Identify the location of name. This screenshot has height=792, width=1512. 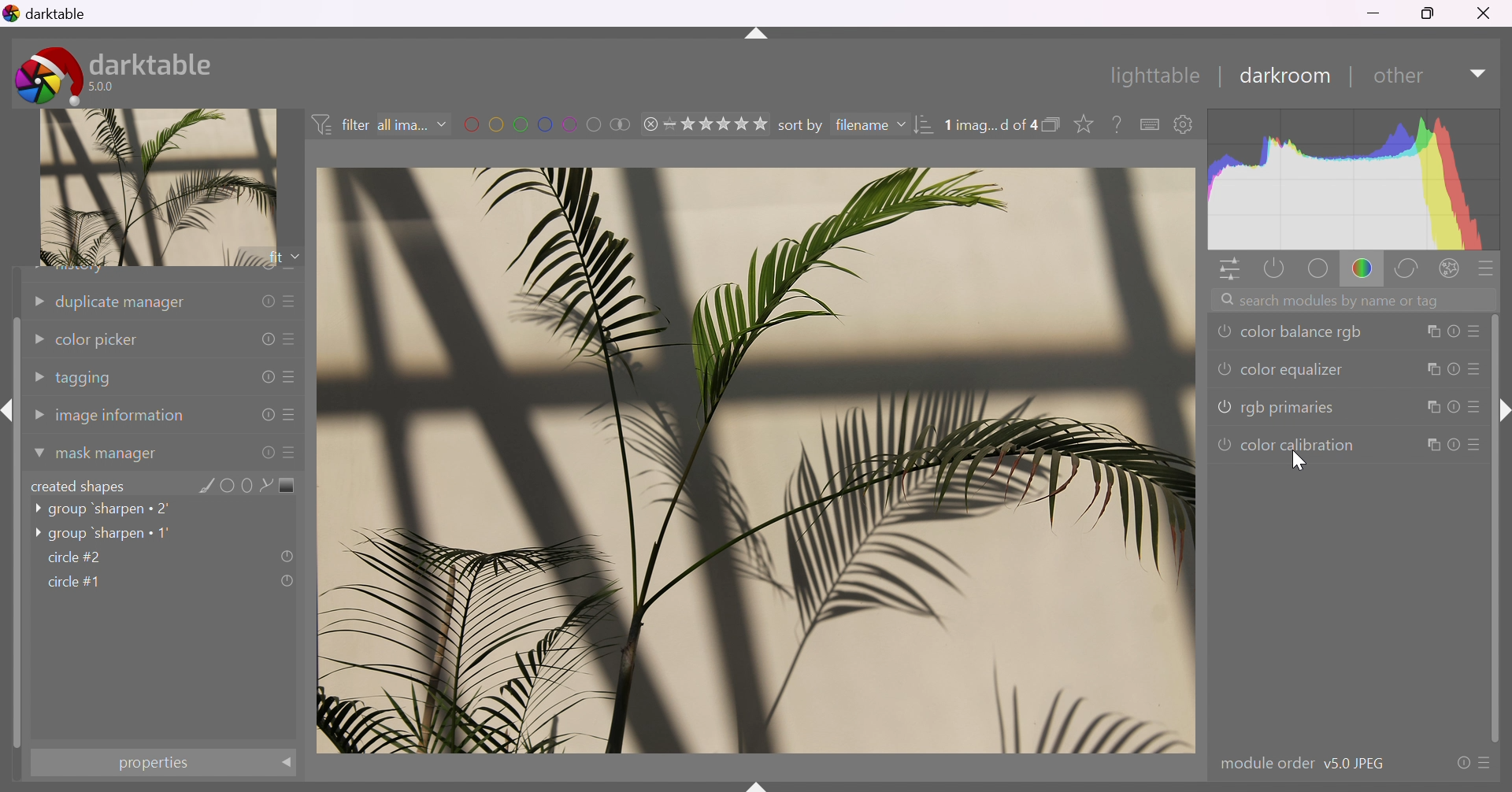
(759, 784).